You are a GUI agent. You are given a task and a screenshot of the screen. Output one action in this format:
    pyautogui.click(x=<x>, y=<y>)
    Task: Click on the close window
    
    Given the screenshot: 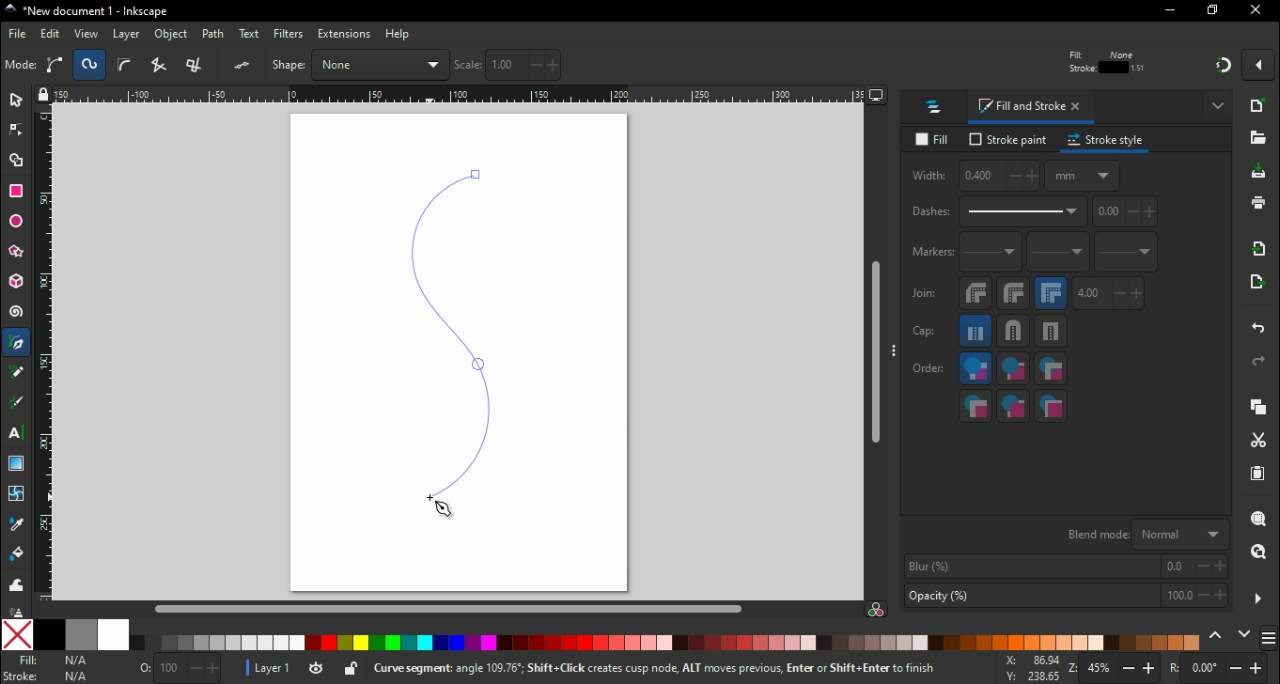 What is the action you would take?
    pyautogui.click(x=1258, y=11)
    